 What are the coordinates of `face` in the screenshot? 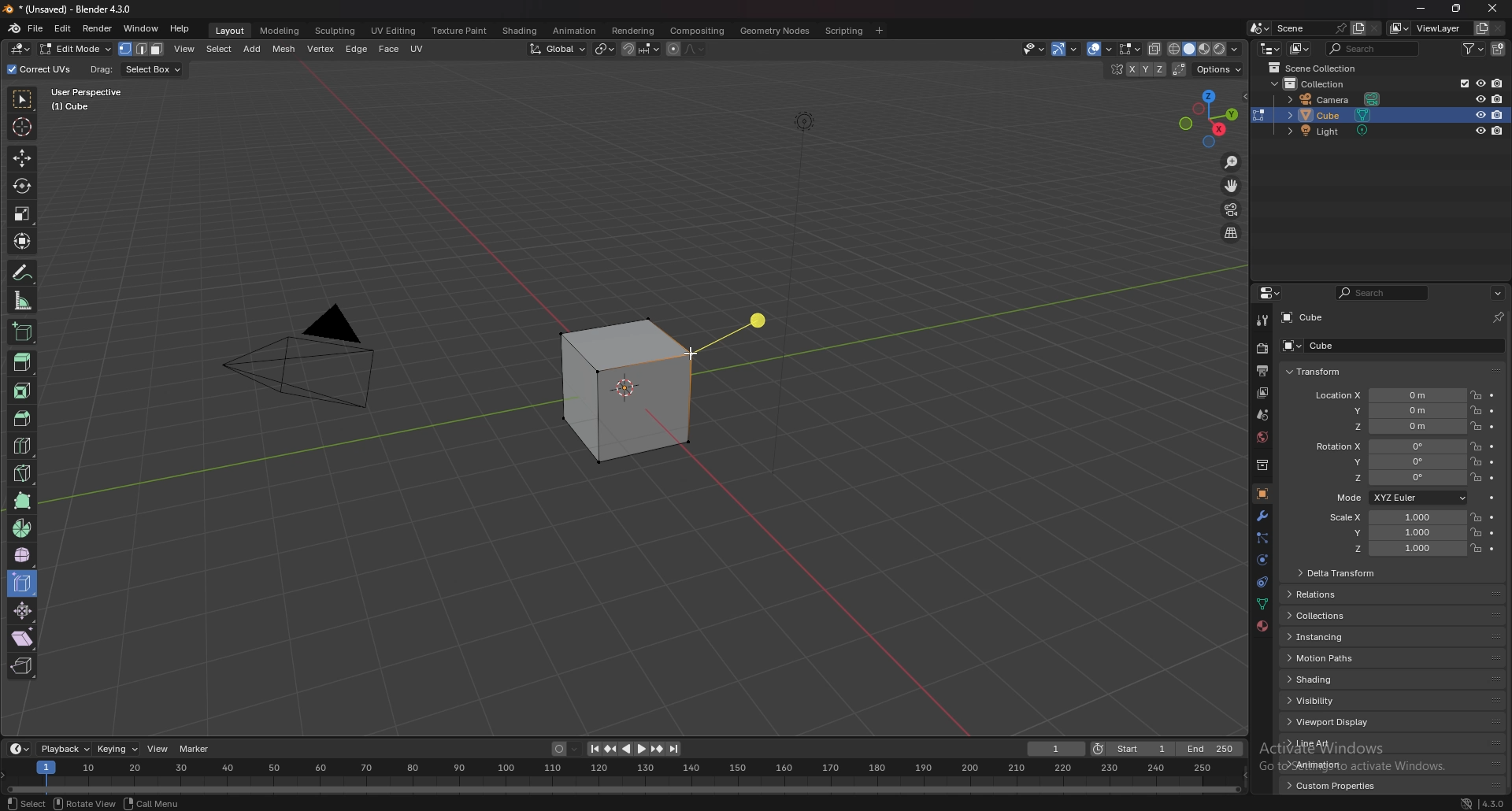 It's located at (389, 50).